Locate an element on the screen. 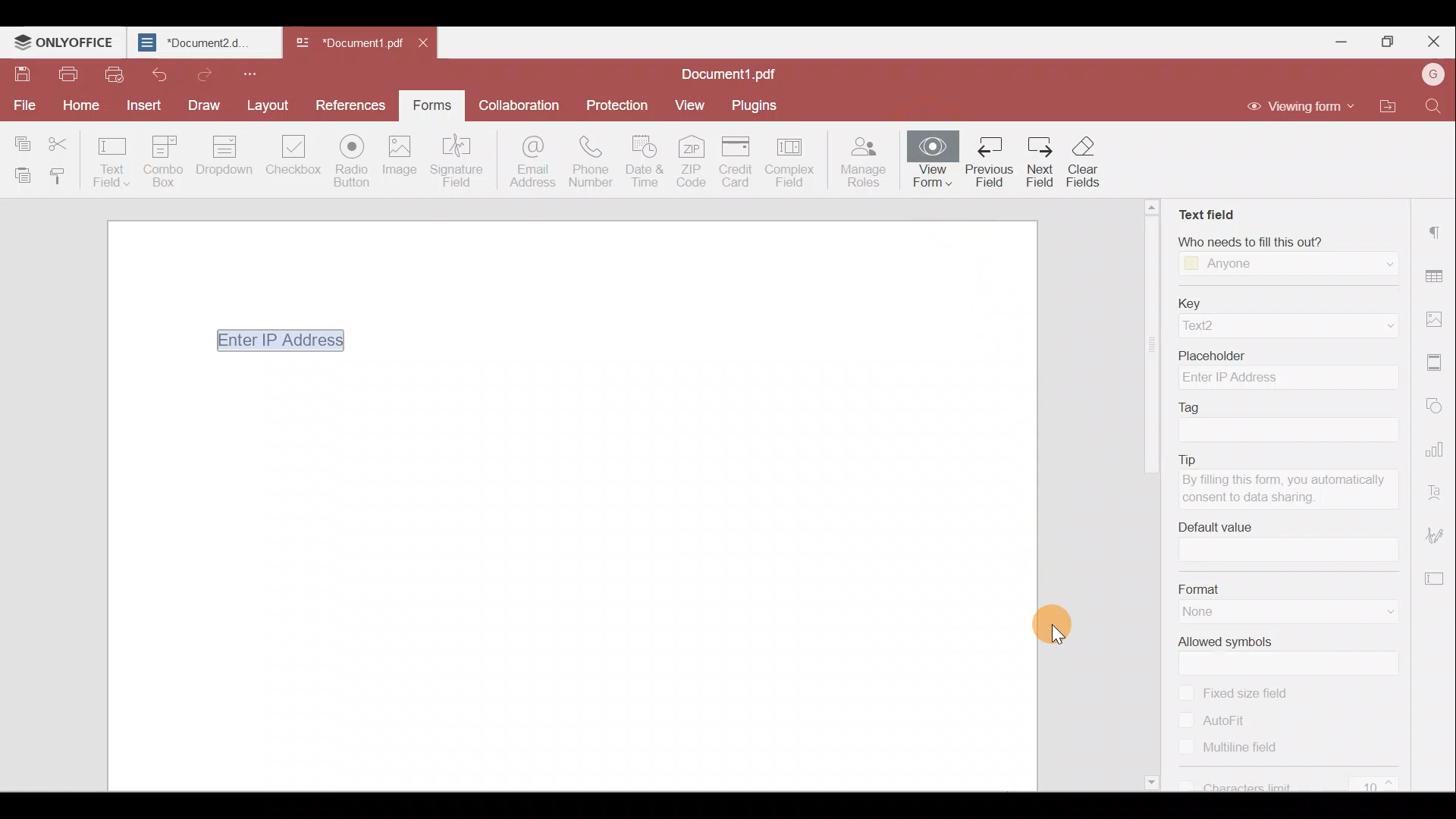 This screenshot has height=819, width=1456. Redo is located at coordinates (204, 74).